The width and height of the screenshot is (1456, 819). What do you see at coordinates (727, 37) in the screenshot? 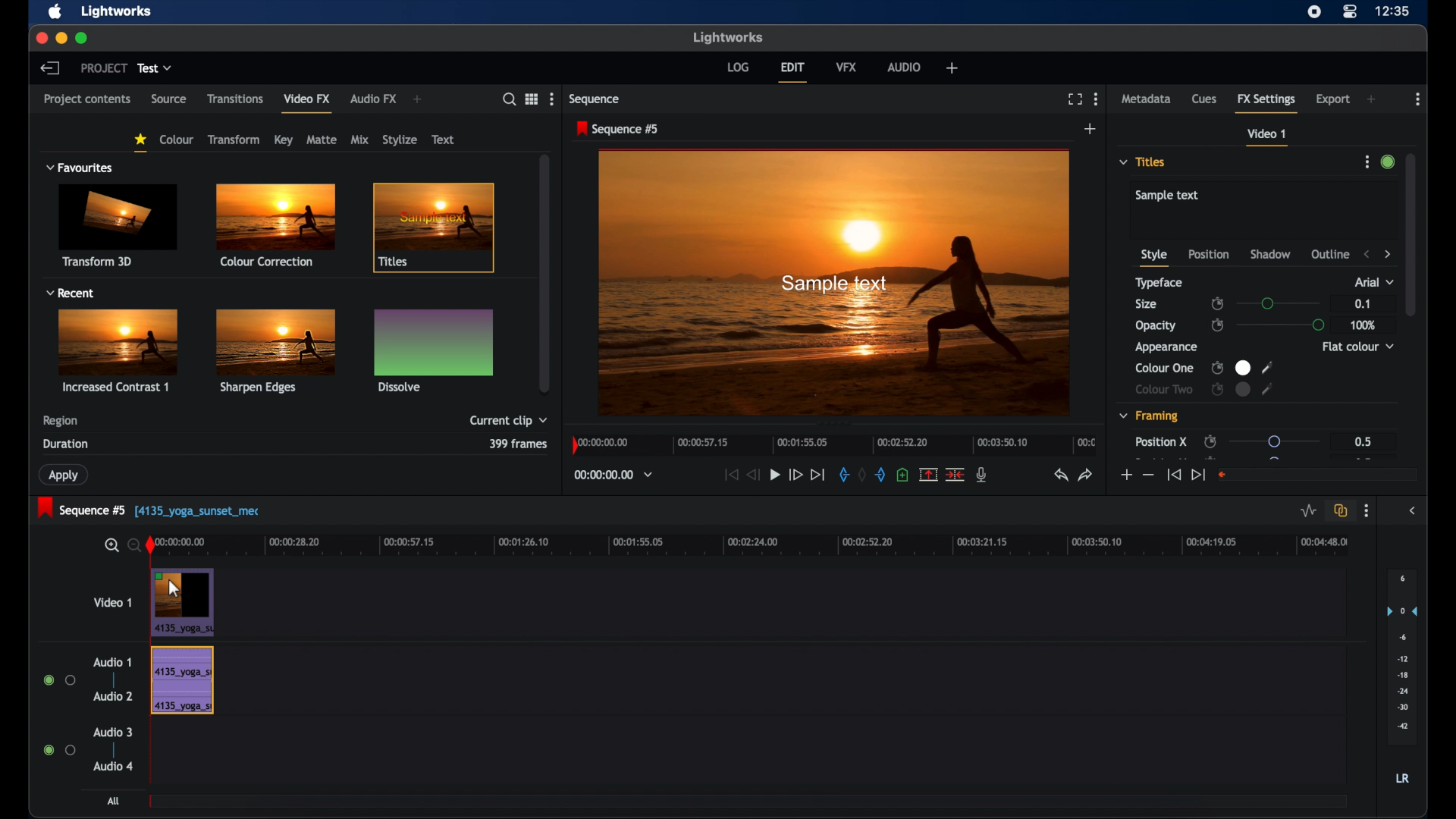
I see `lightworks` at bounding box center [727, 37].